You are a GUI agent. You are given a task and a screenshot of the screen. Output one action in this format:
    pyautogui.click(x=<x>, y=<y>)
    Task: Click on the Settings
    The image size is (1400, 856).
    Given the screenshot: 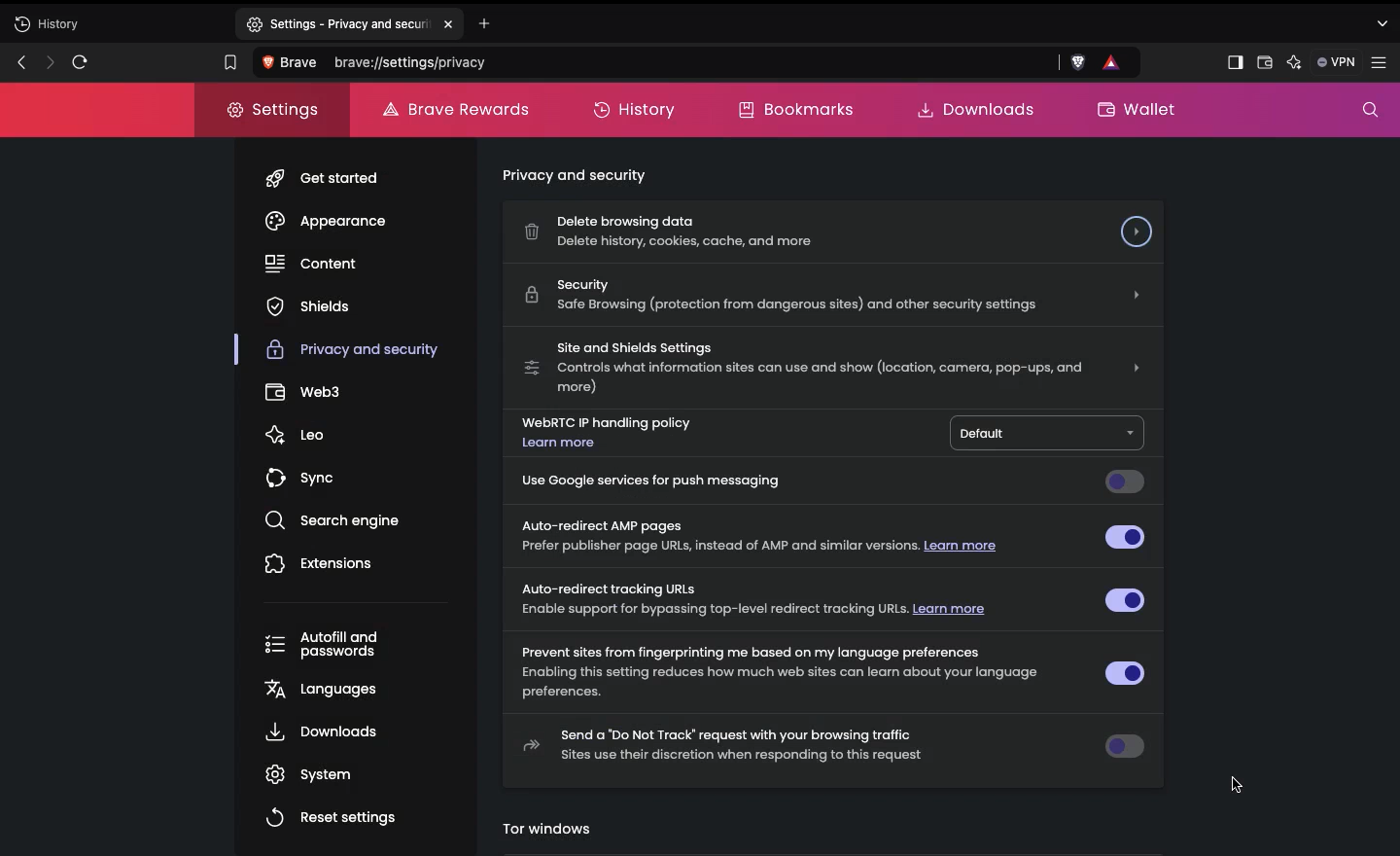 What is the action you would take?
    pyautogui.click(x=274, y=110)
    